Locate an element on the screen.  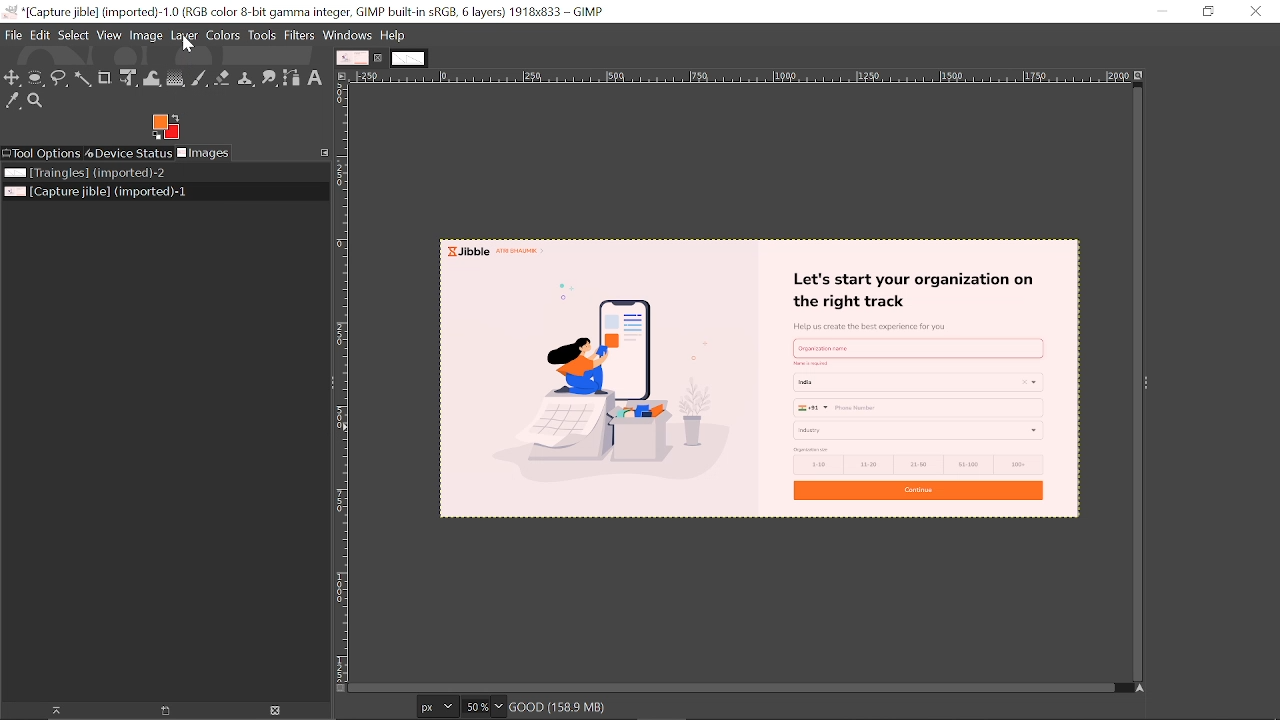
Current tab is located at coordinates (353, 58).